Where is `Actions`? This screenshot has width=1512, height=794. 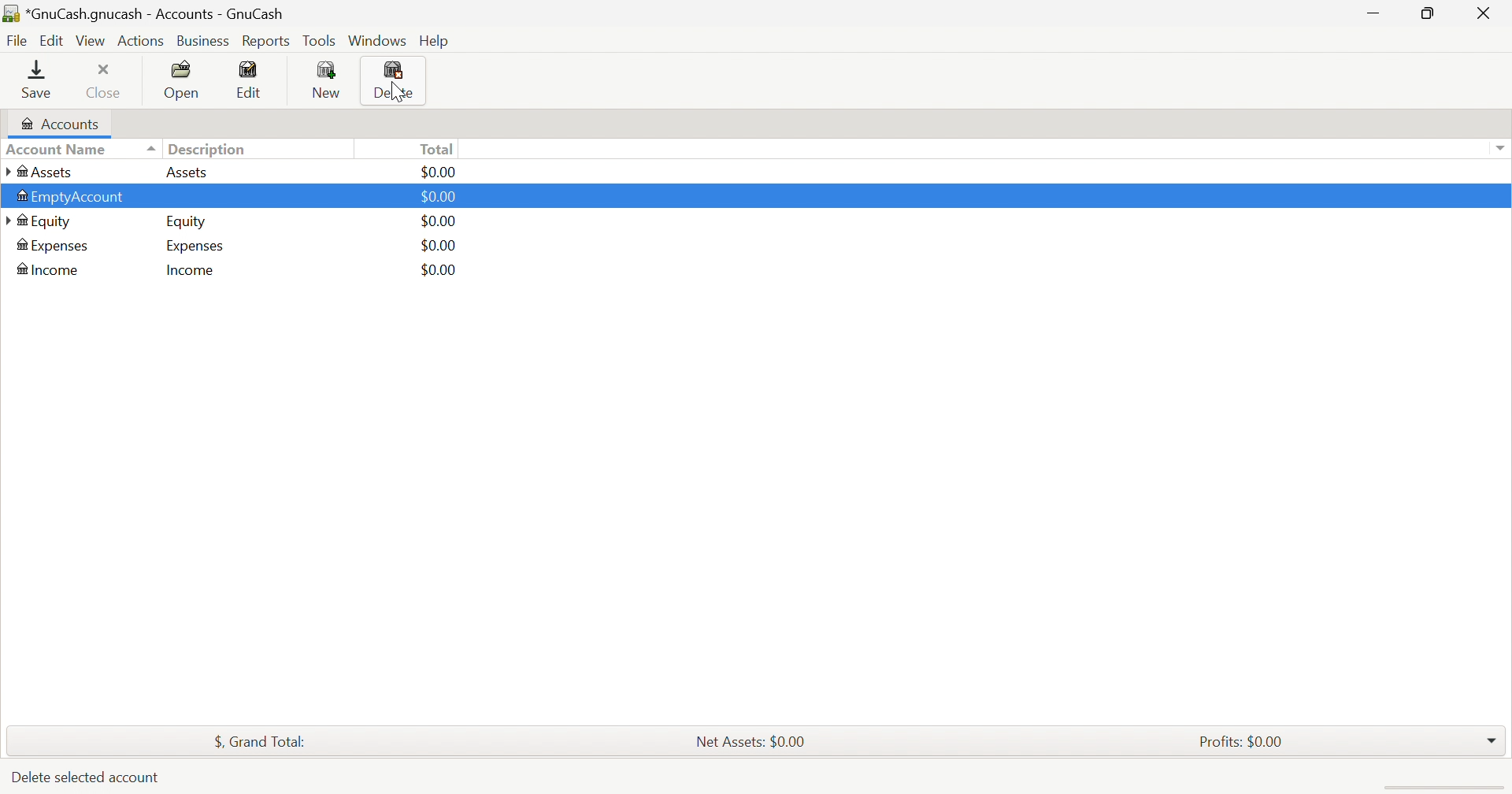 Actions is located at coordinates (140, 42).